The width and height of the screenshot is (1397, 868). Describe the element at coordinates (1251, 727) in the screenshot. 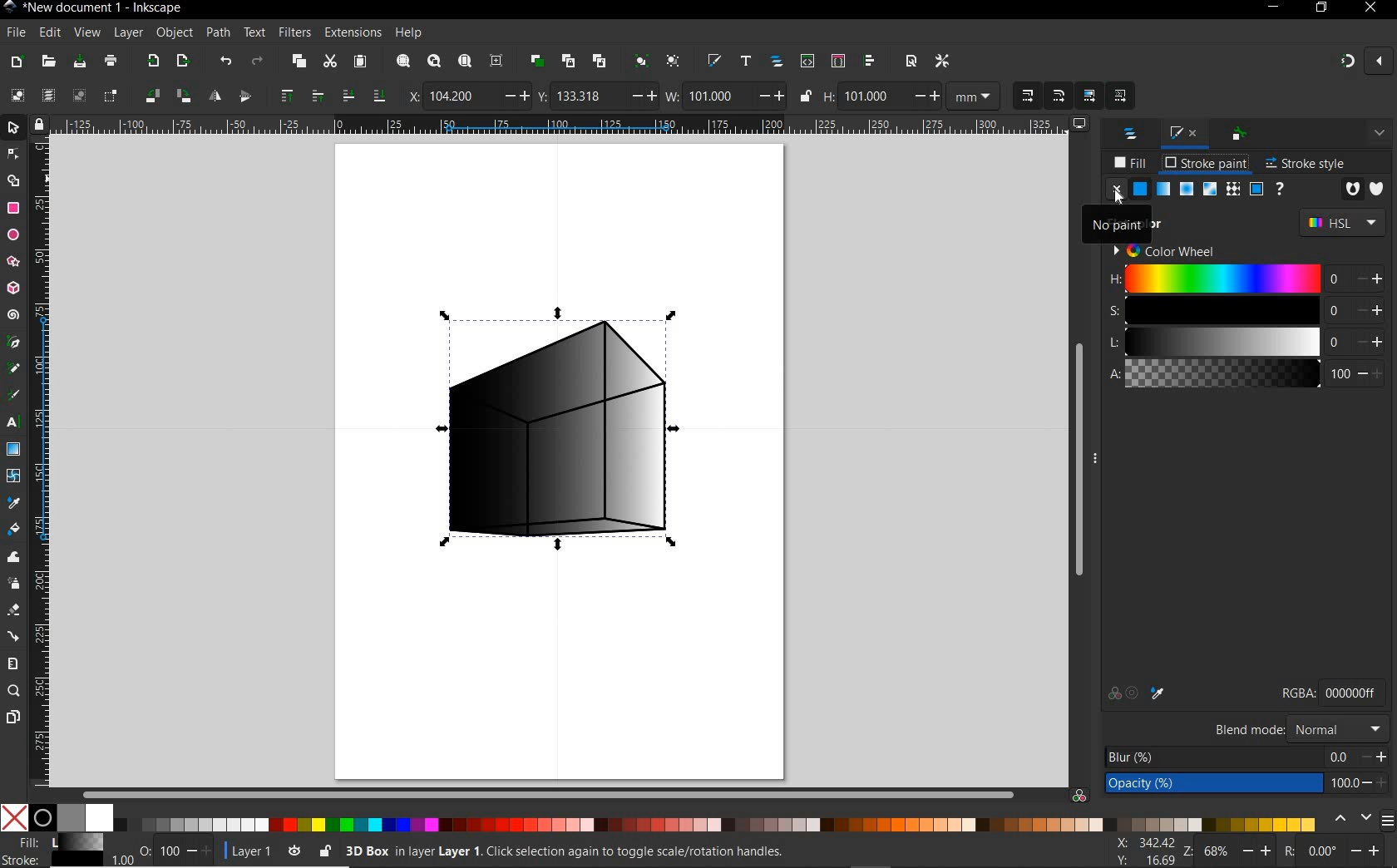

I see `BLEND MODE` at that location.